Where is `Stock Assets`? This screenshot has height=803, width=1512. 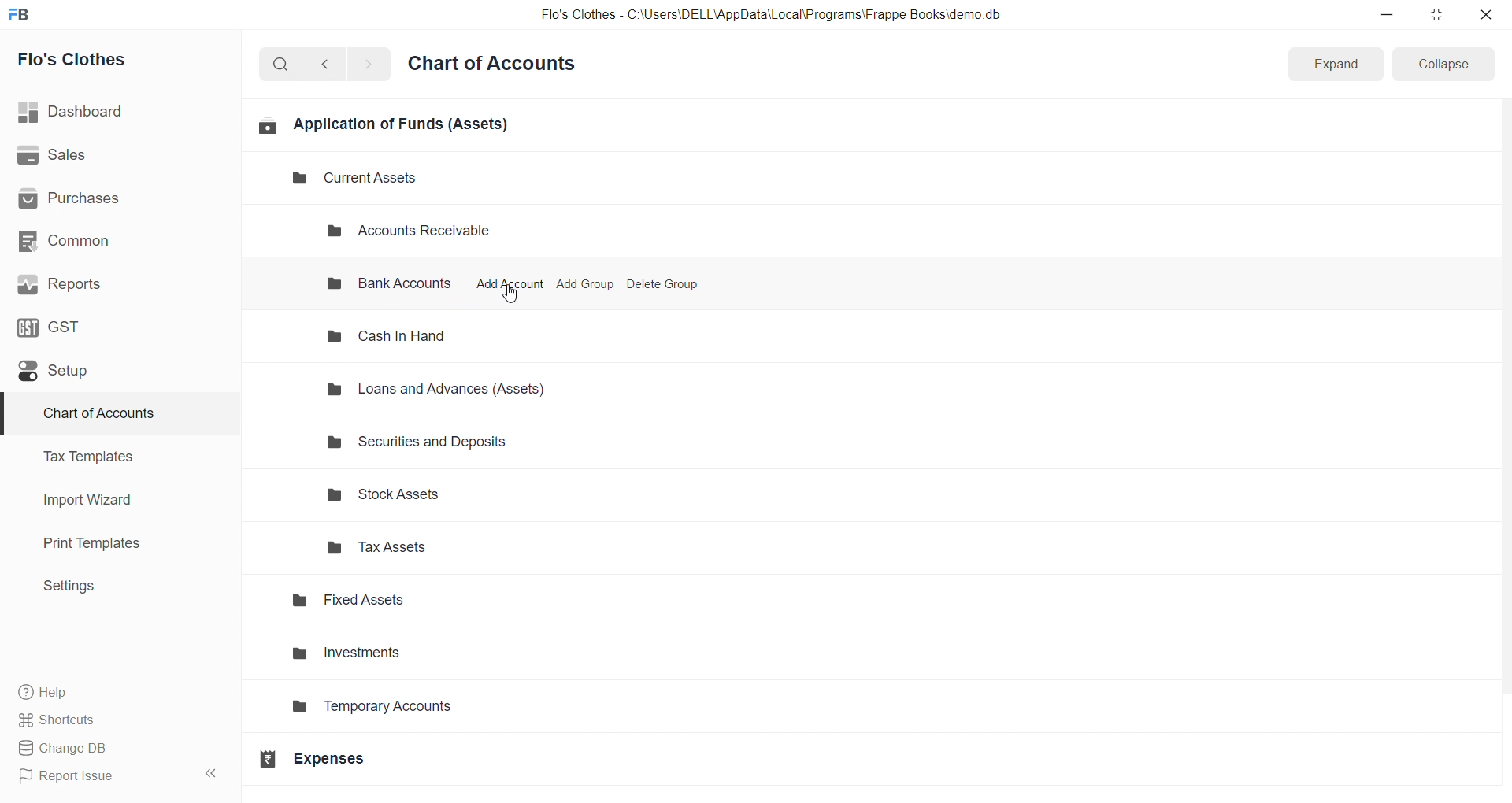 Stock Assets is located at coordinates (450, 498).